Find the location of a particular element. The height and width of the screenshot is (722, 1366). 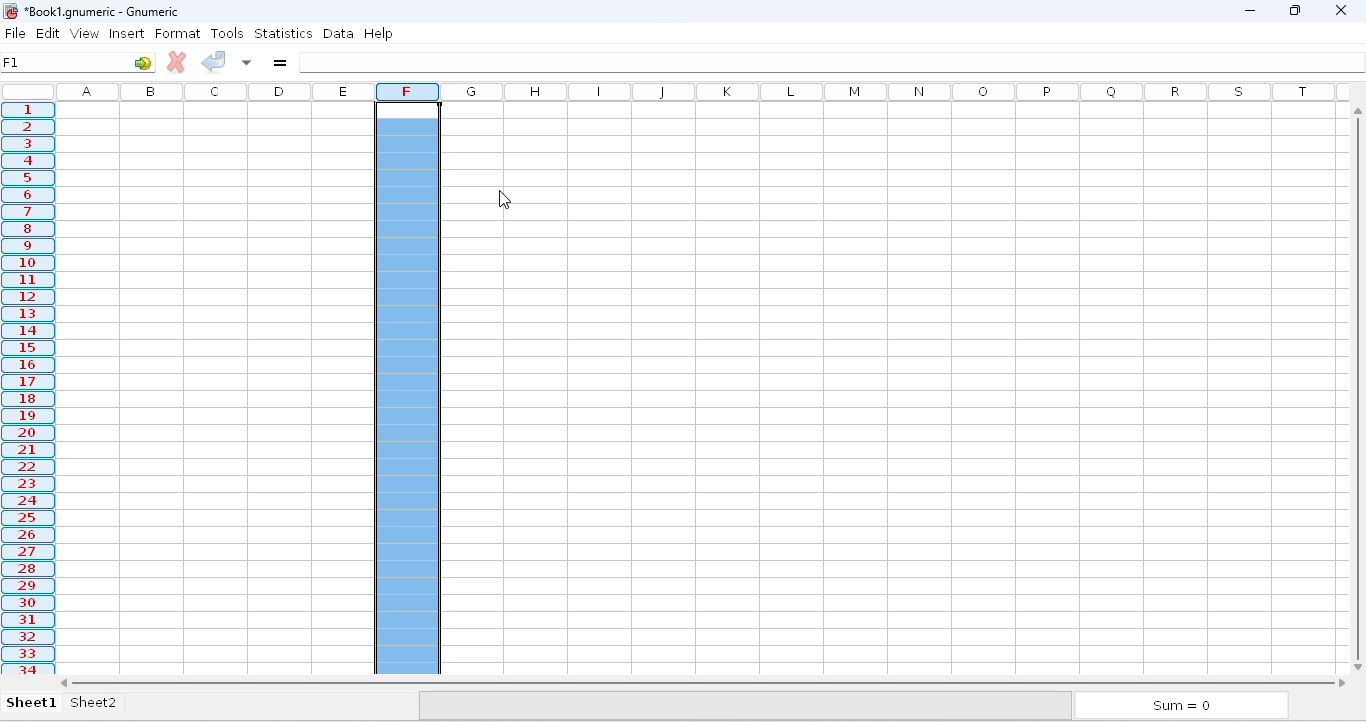

tools is located at coordinates (227, 34).